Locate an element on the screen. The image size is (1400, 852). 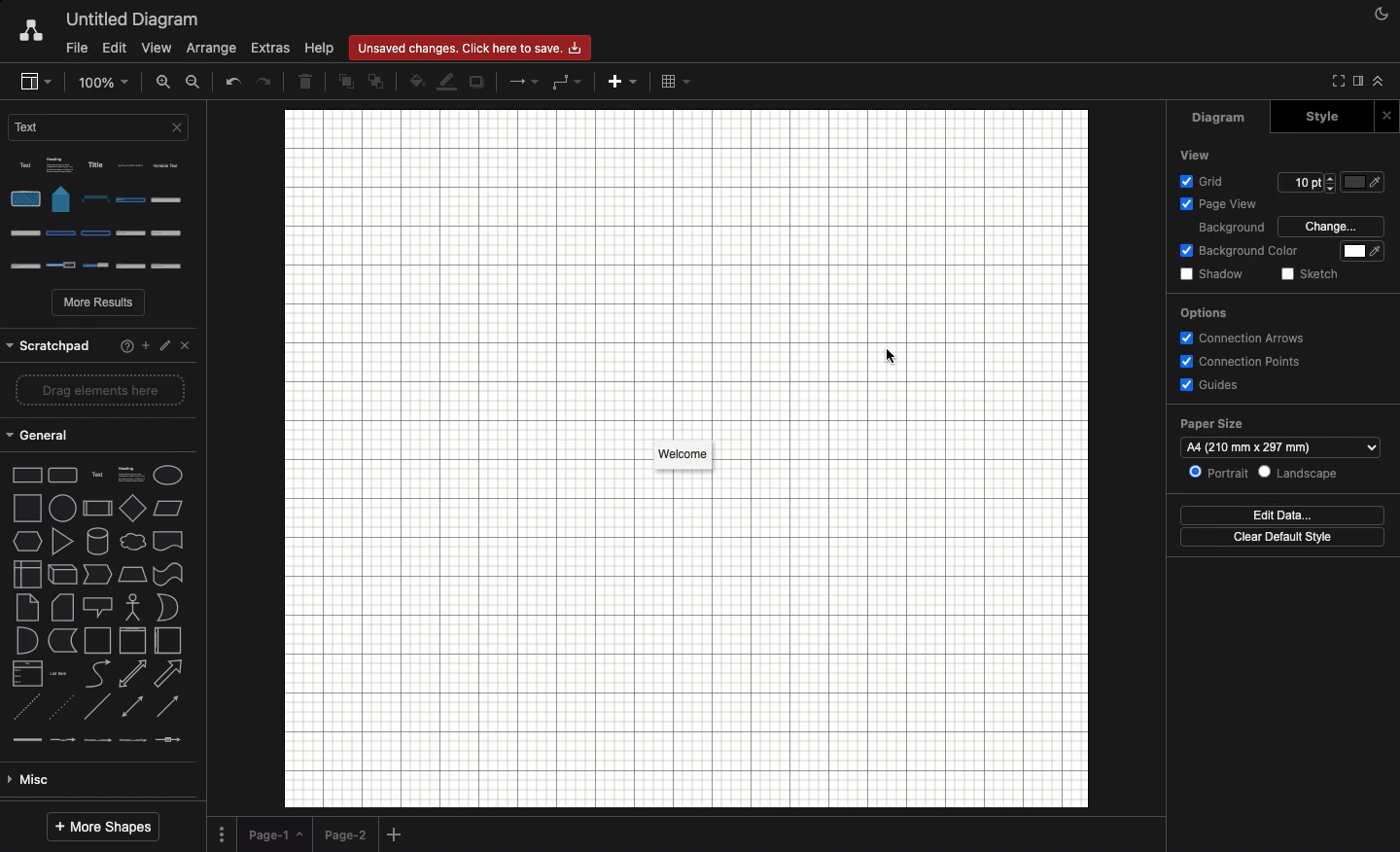
More results is located at coordinates (100, 304).